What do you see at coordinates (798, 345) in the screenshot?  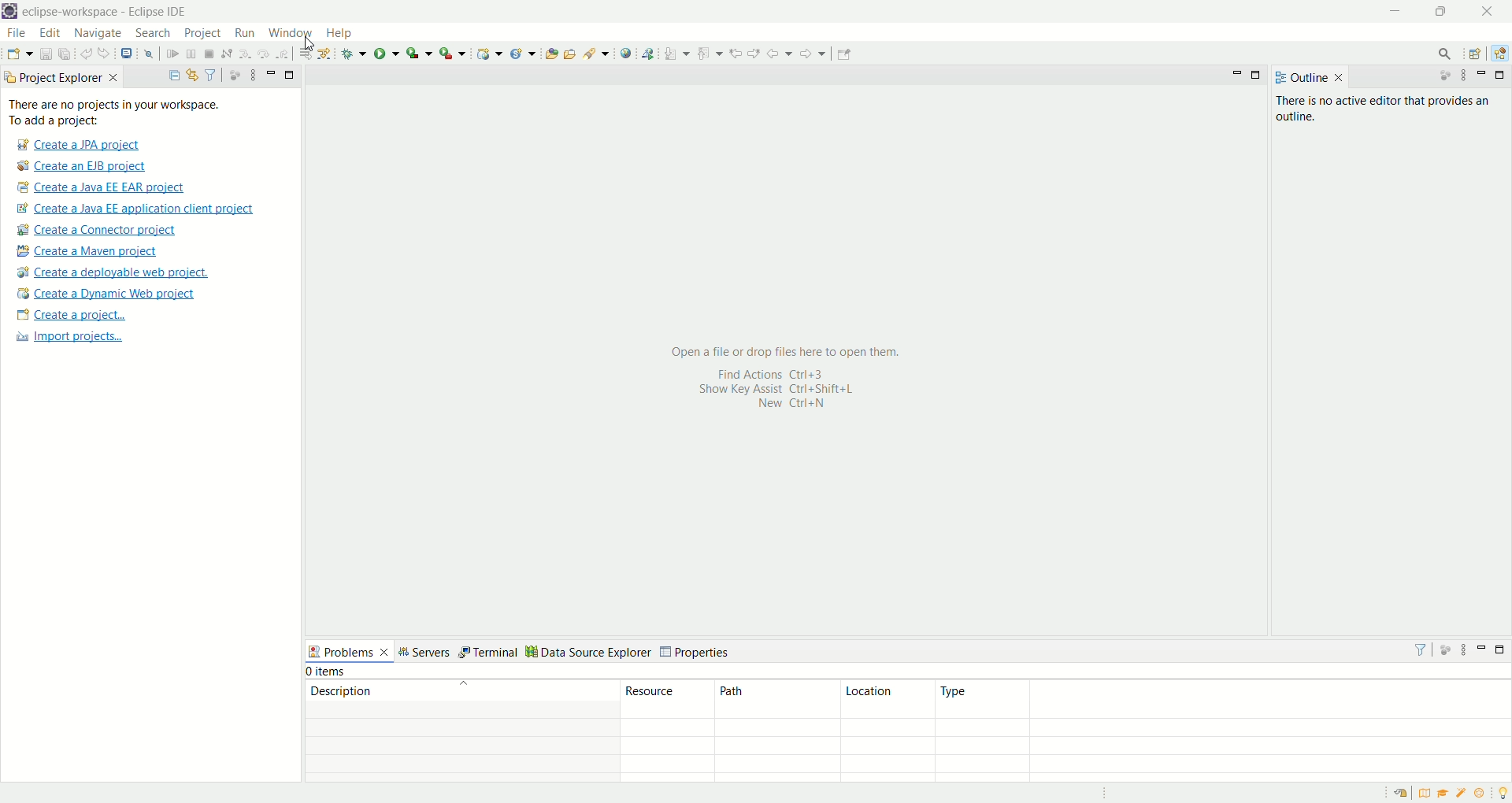 I see `open a file or drop files here to open them` at bounding box center [798, 345].